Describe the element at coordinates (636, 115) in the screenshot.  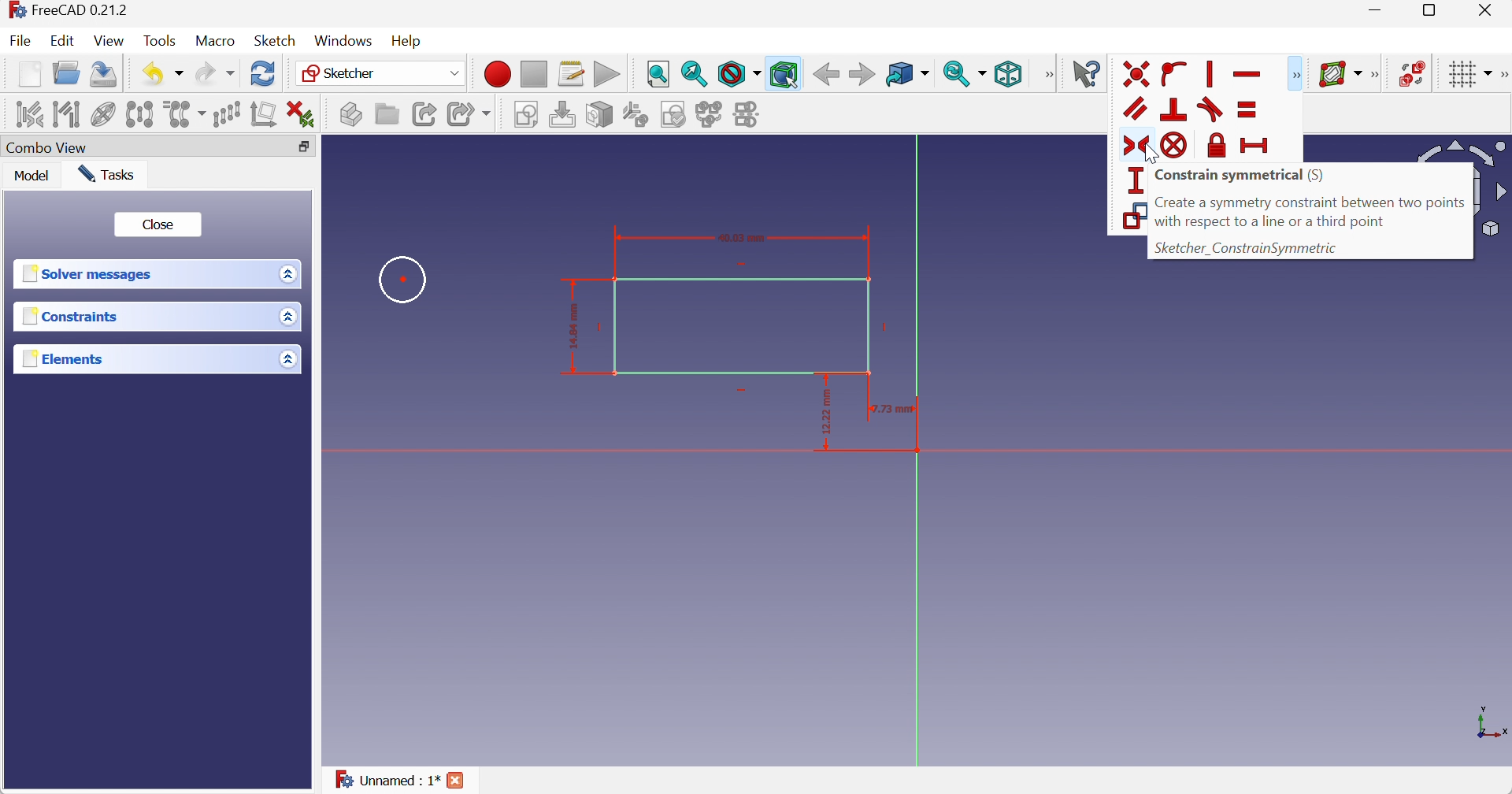
I see `Reorient sketch...` at that location.